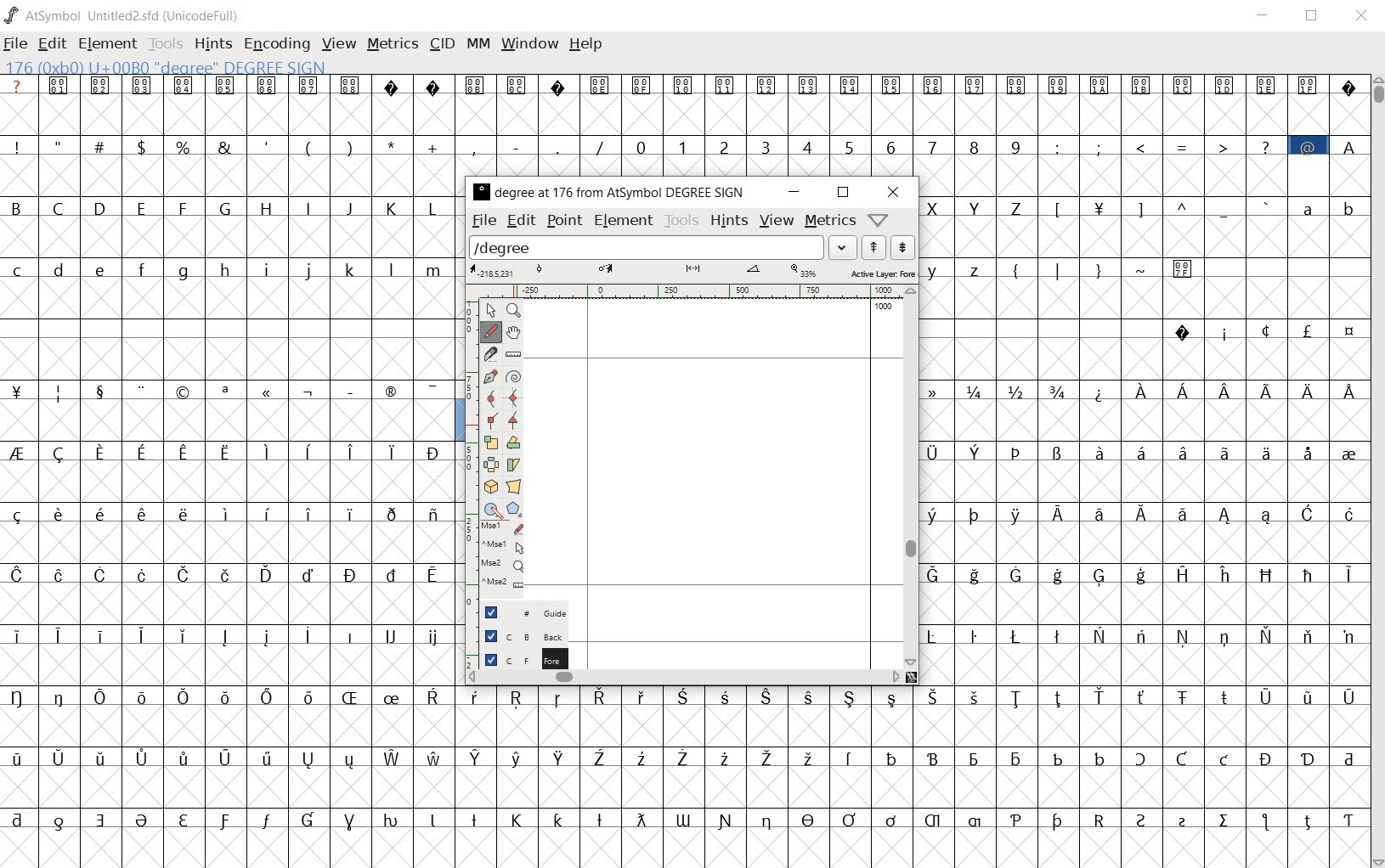 This screenshot has height=868, width=1385. What do you see at coordinates (497, 515) in the screenshot?
I see `Cursor` at bounding box center [497, 515].